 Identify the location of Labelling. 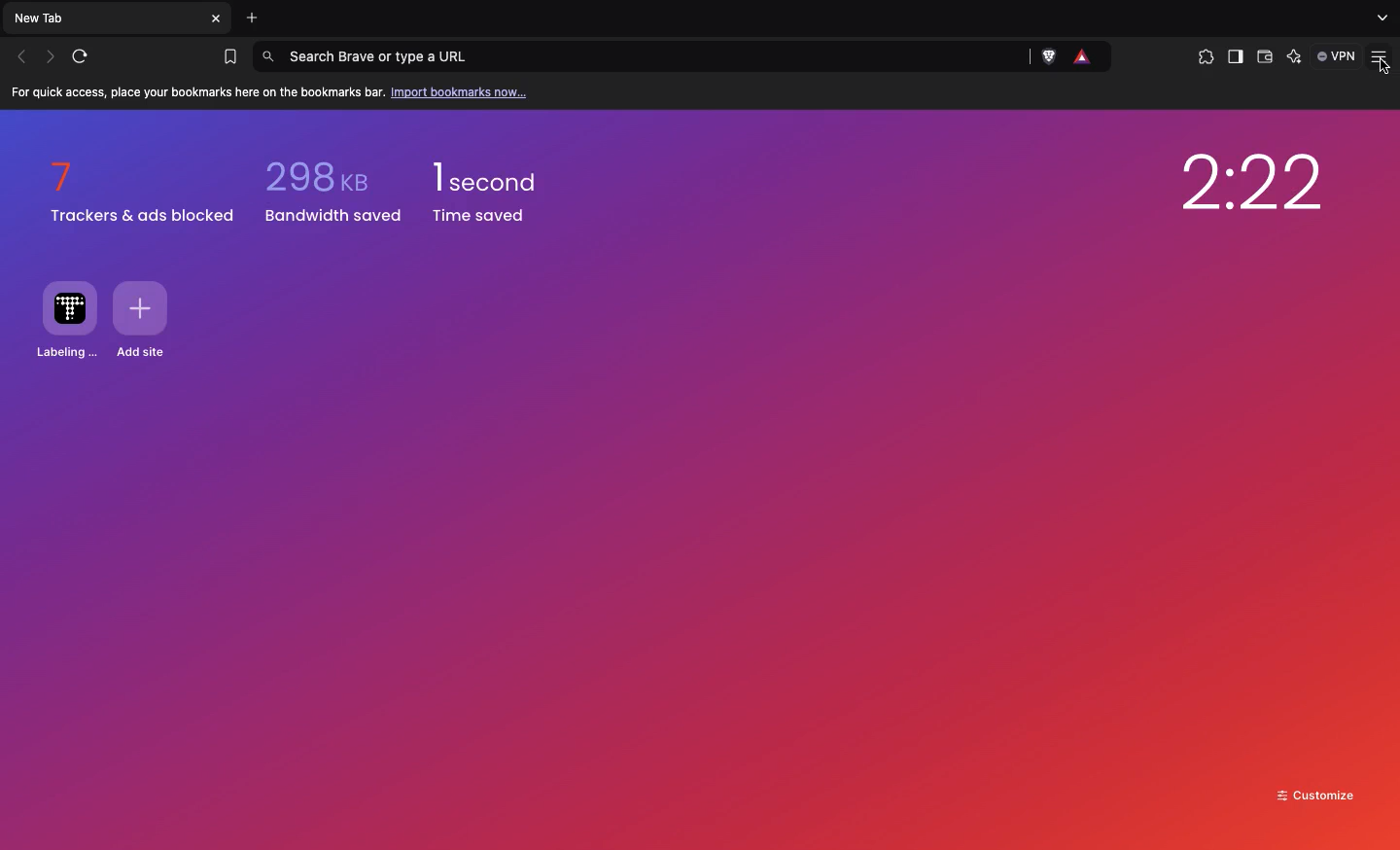
(68, 322).